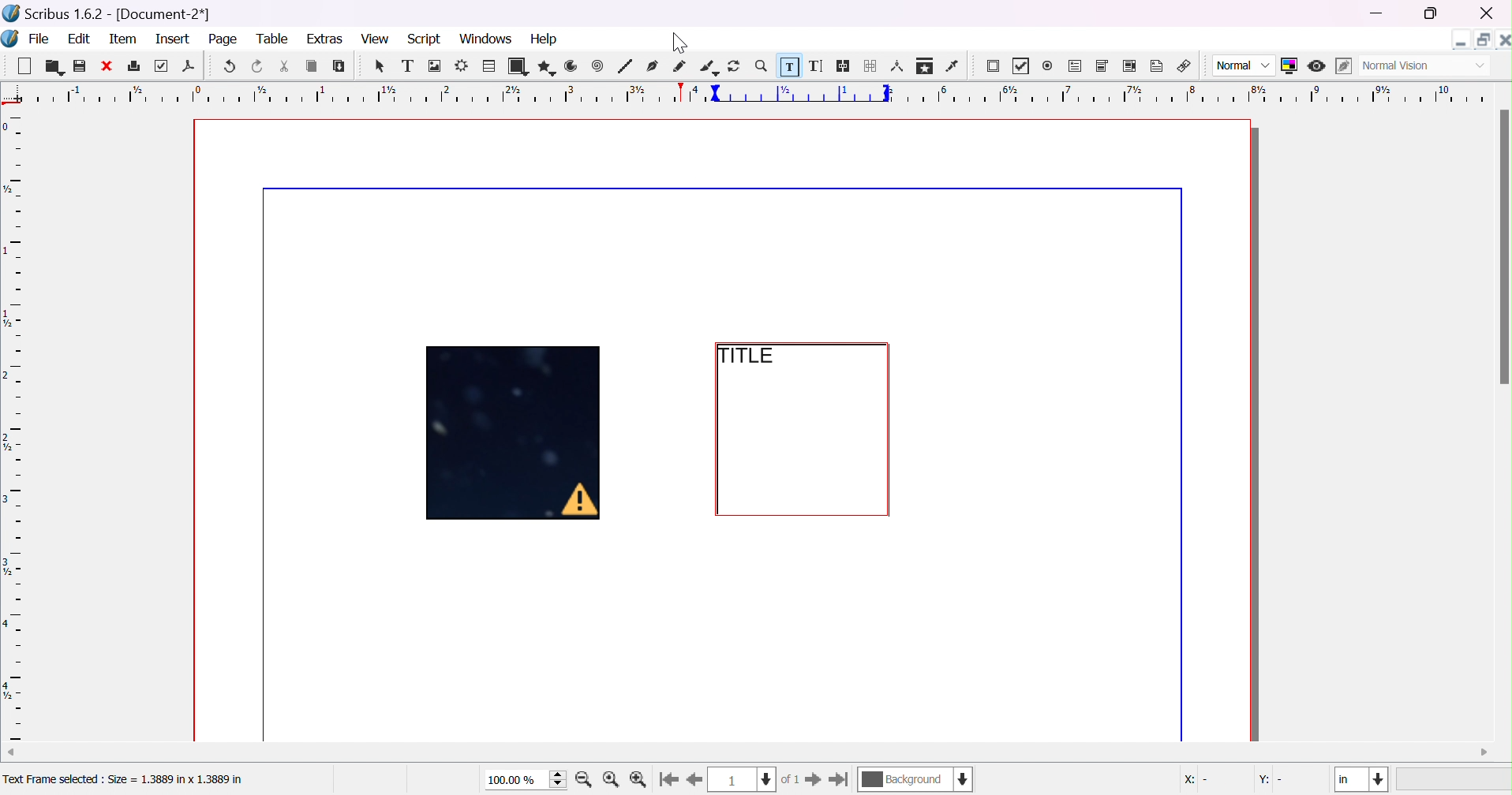 Image resolution: width=1512 pixels, height=795 pixels. I want to click on PDF checkbox, so click(1025, 66).